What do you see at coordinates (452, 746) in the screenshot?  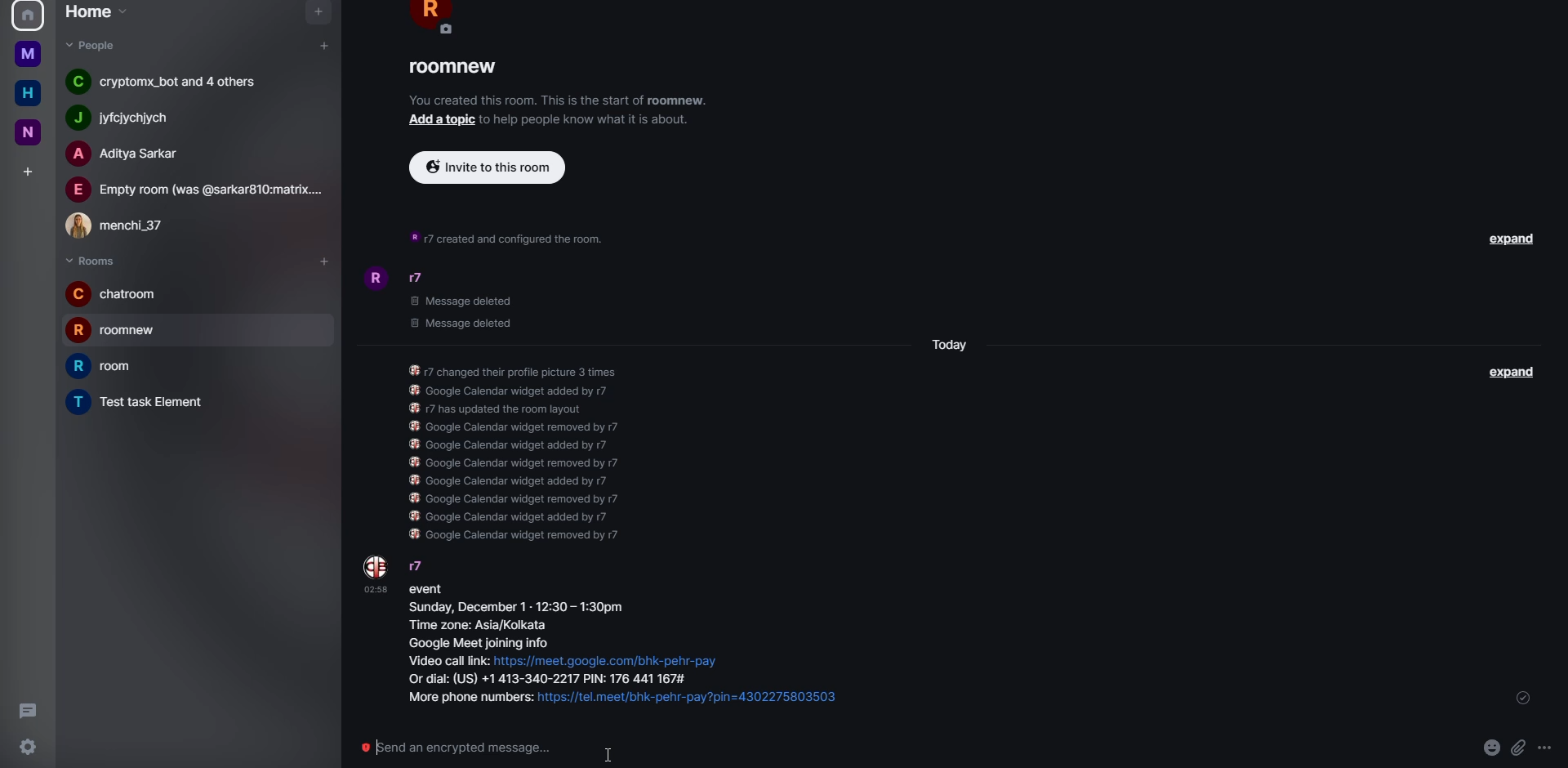 I see `© [send an encrypted message...` at bounding box center [452, 746].